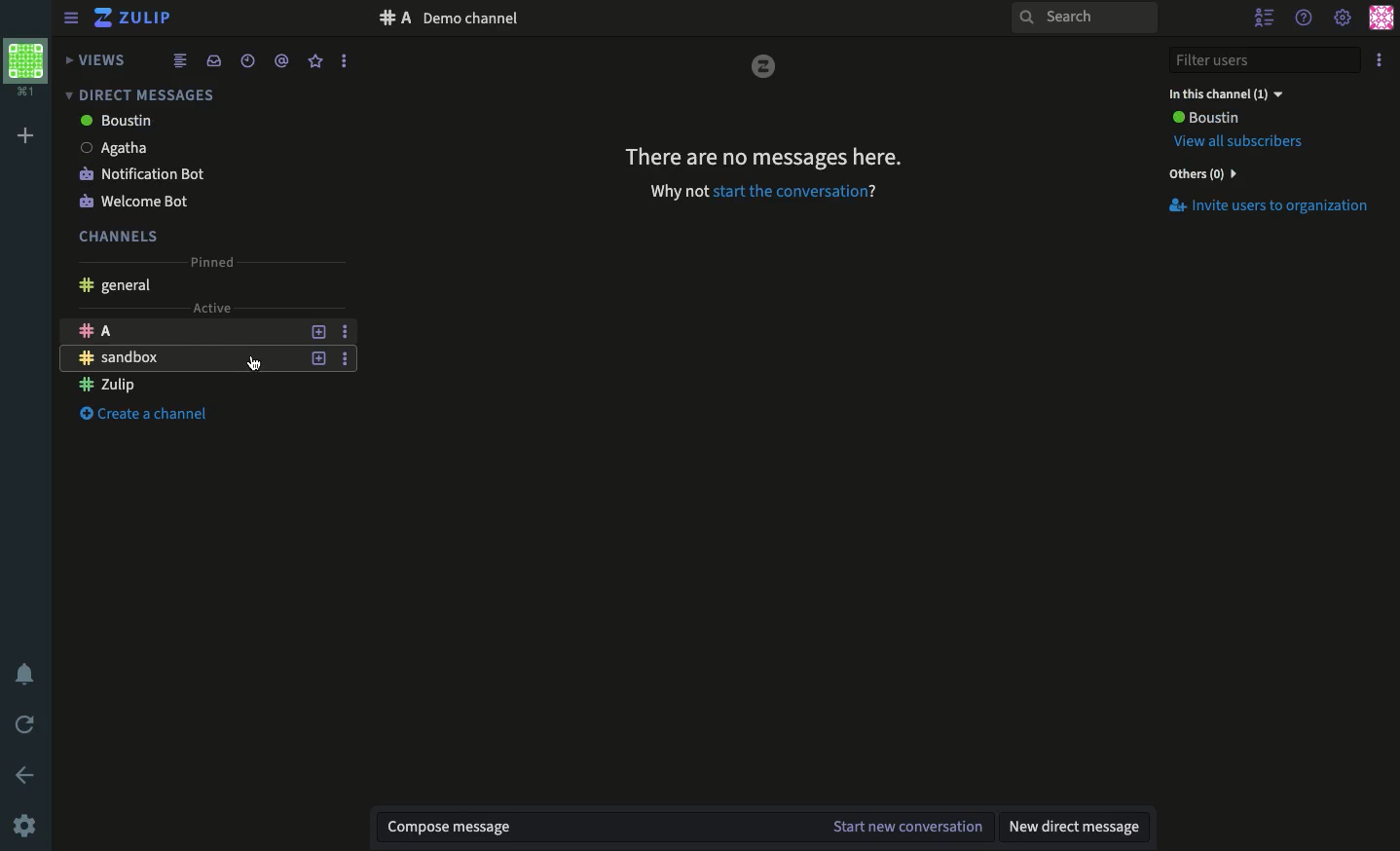  Describe the element at coordinates (1305, 15) in the screenshot. I see `Help` at that location.